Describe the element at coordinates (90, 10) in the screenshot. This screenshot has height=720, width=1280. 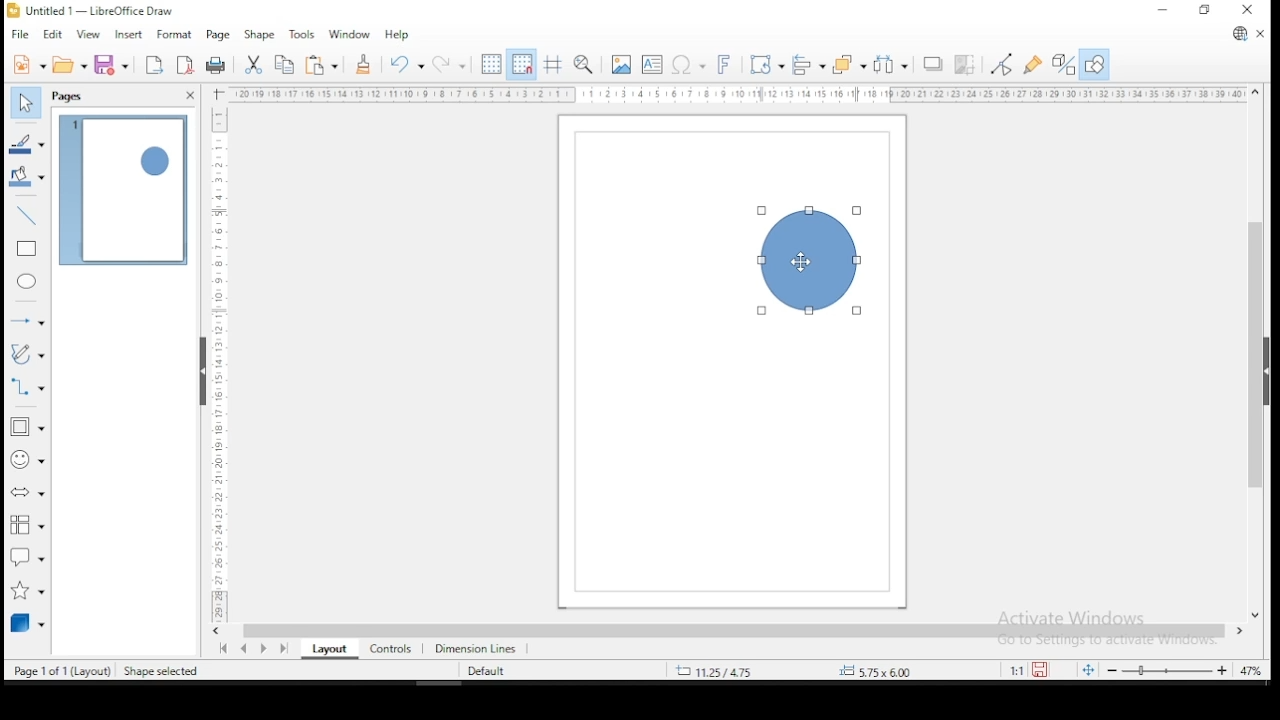
I see `untitled 1 - LibreOffice Draw` at that location.